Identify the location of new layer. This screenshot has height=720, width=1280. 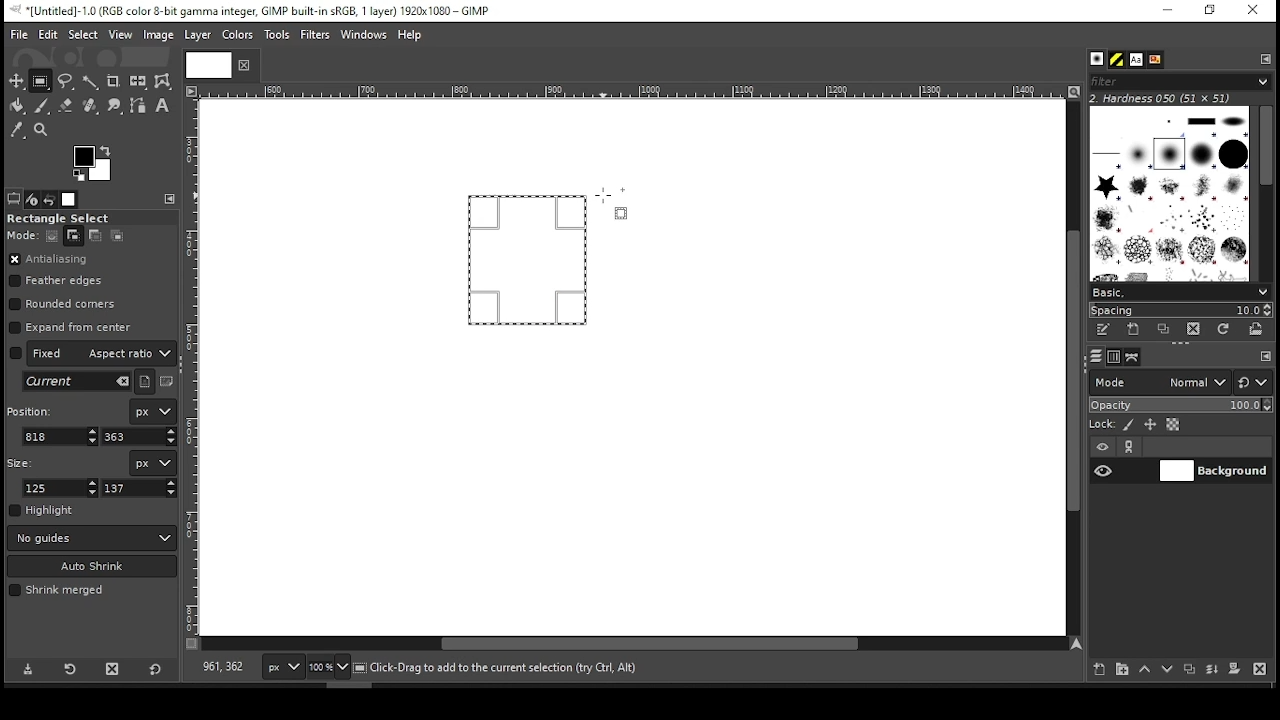
(1095, 667).